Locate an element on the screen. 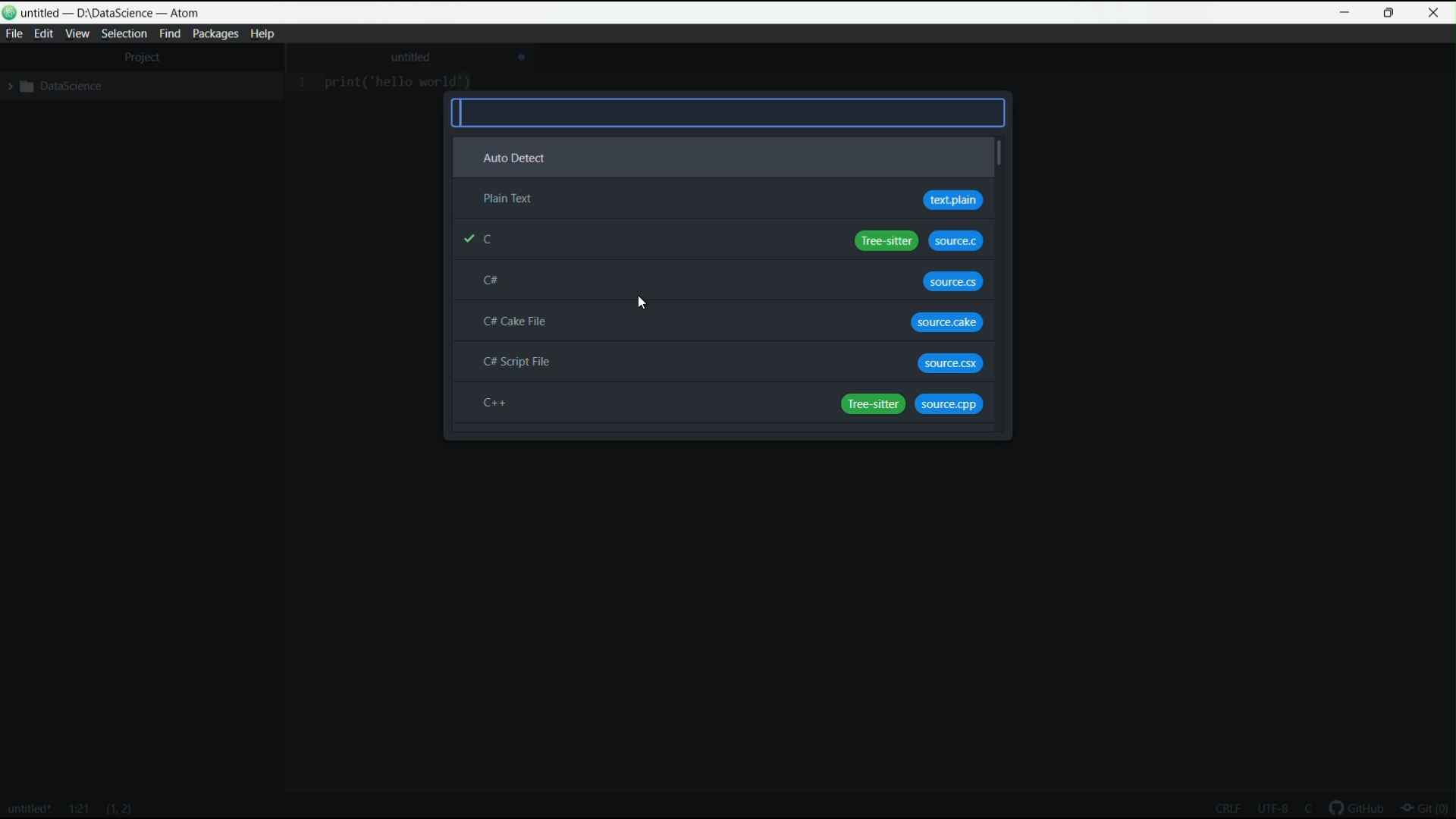 Image resolution: width=1456 pixels, height=819 pixels. tree sitter is located at coordinates (886, 242).